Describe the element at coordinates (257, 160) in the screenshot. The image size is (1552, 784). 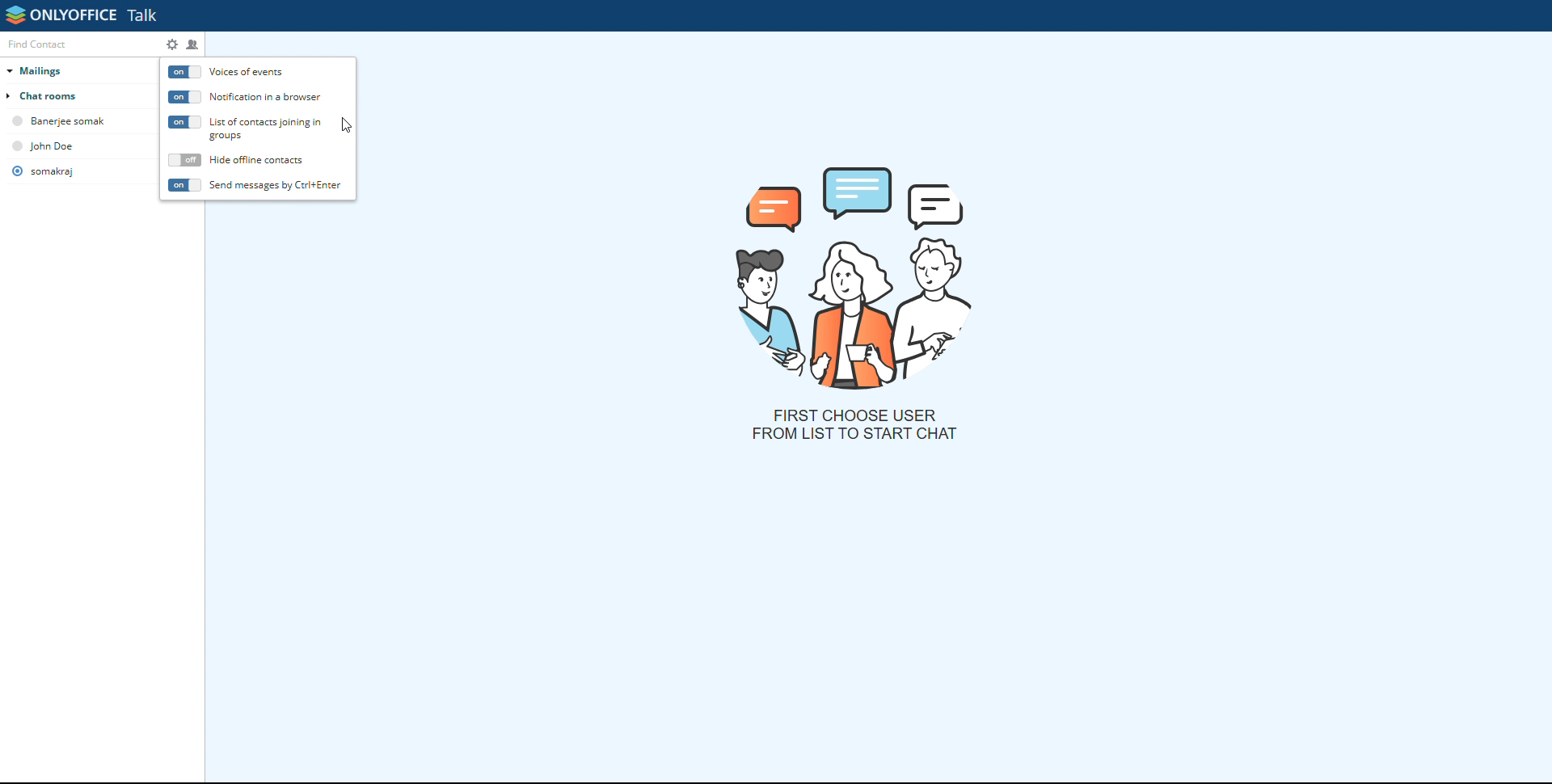
I see `hide offline contacts` at that location.